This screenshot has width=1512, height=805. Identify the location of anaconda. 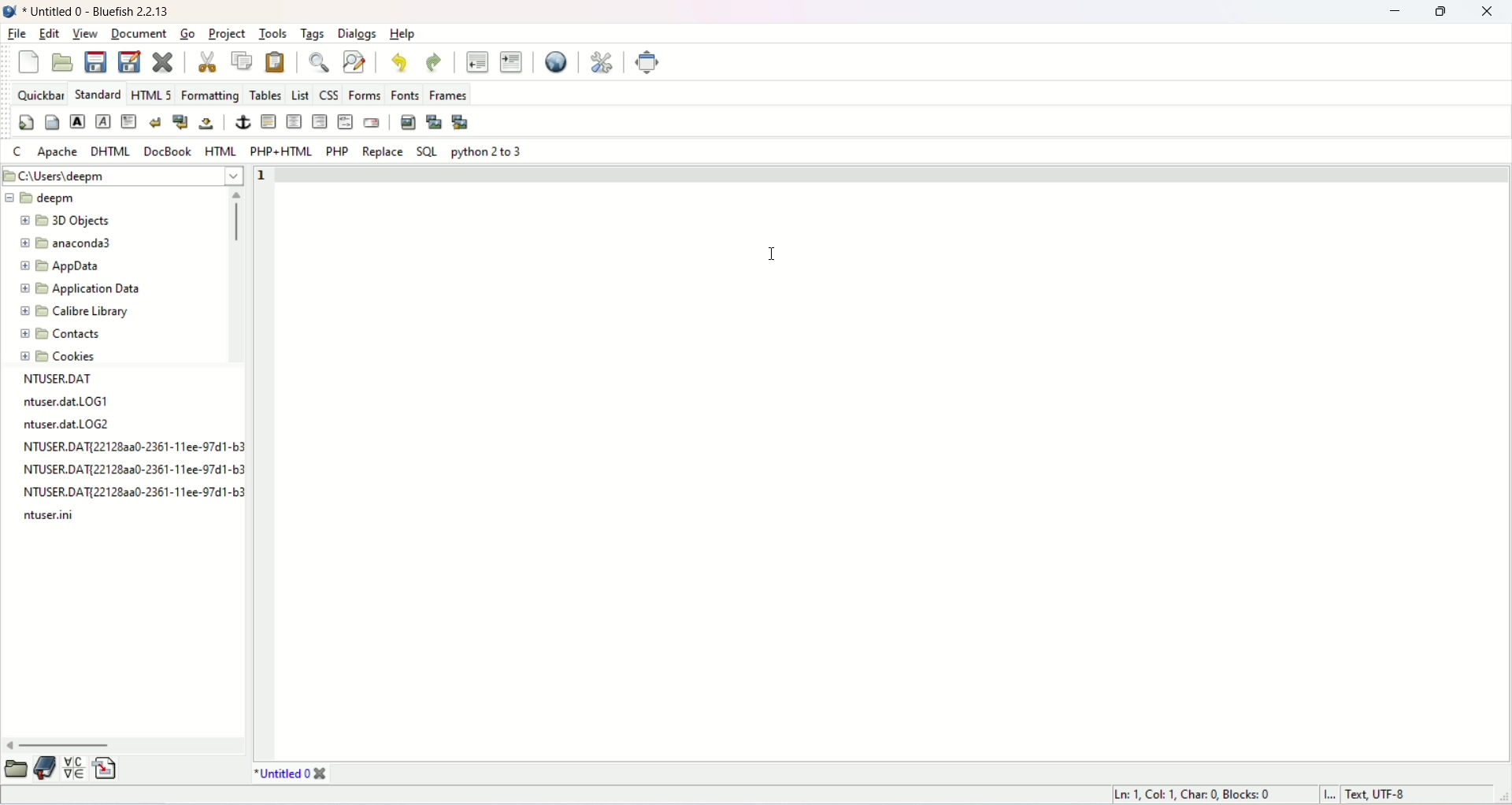
(65, 247).